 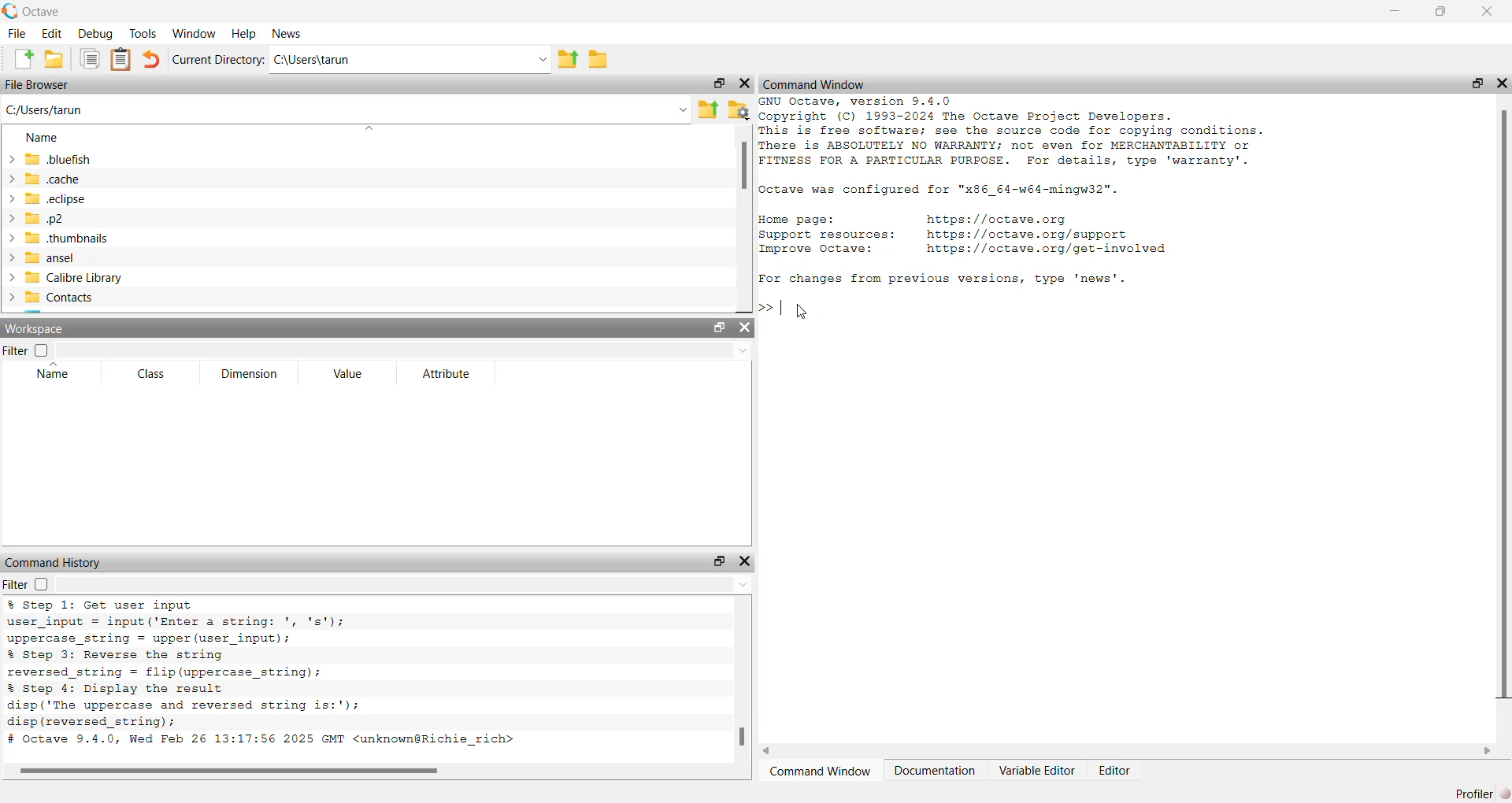 I want to click on hide widget, so click(x=746, y=561).